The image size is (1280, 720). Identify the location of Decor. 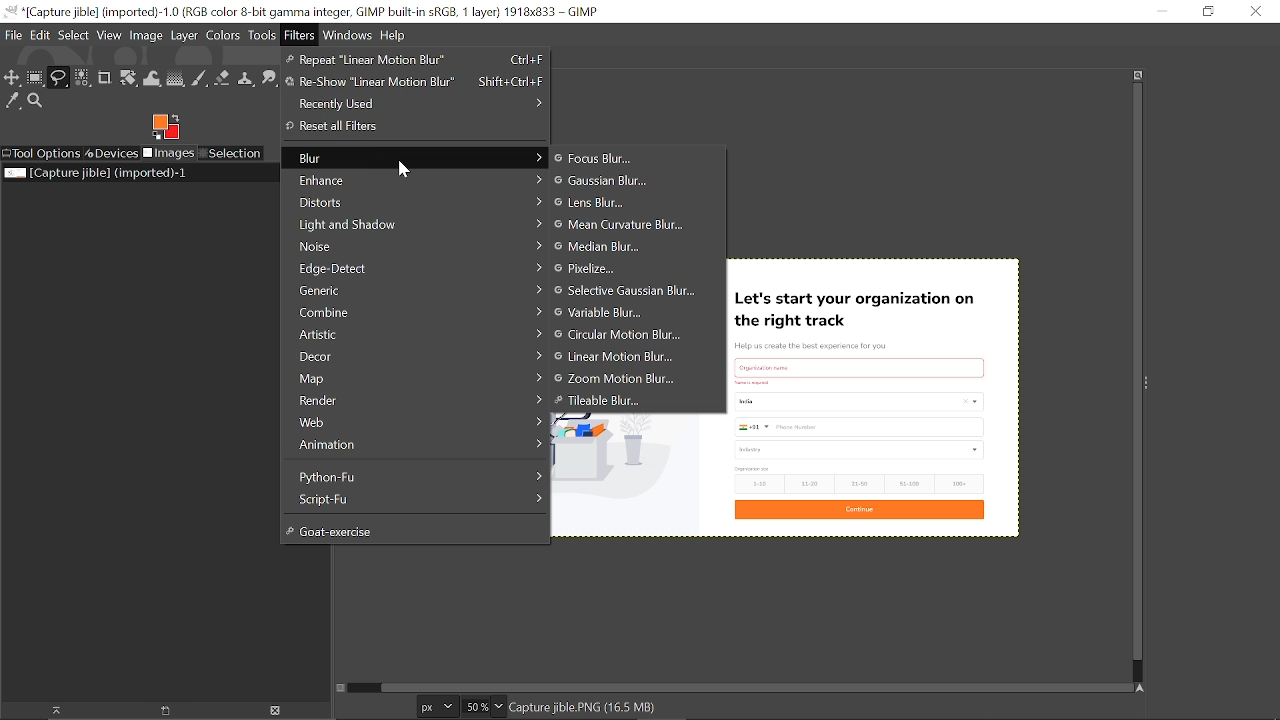
(413, 356).